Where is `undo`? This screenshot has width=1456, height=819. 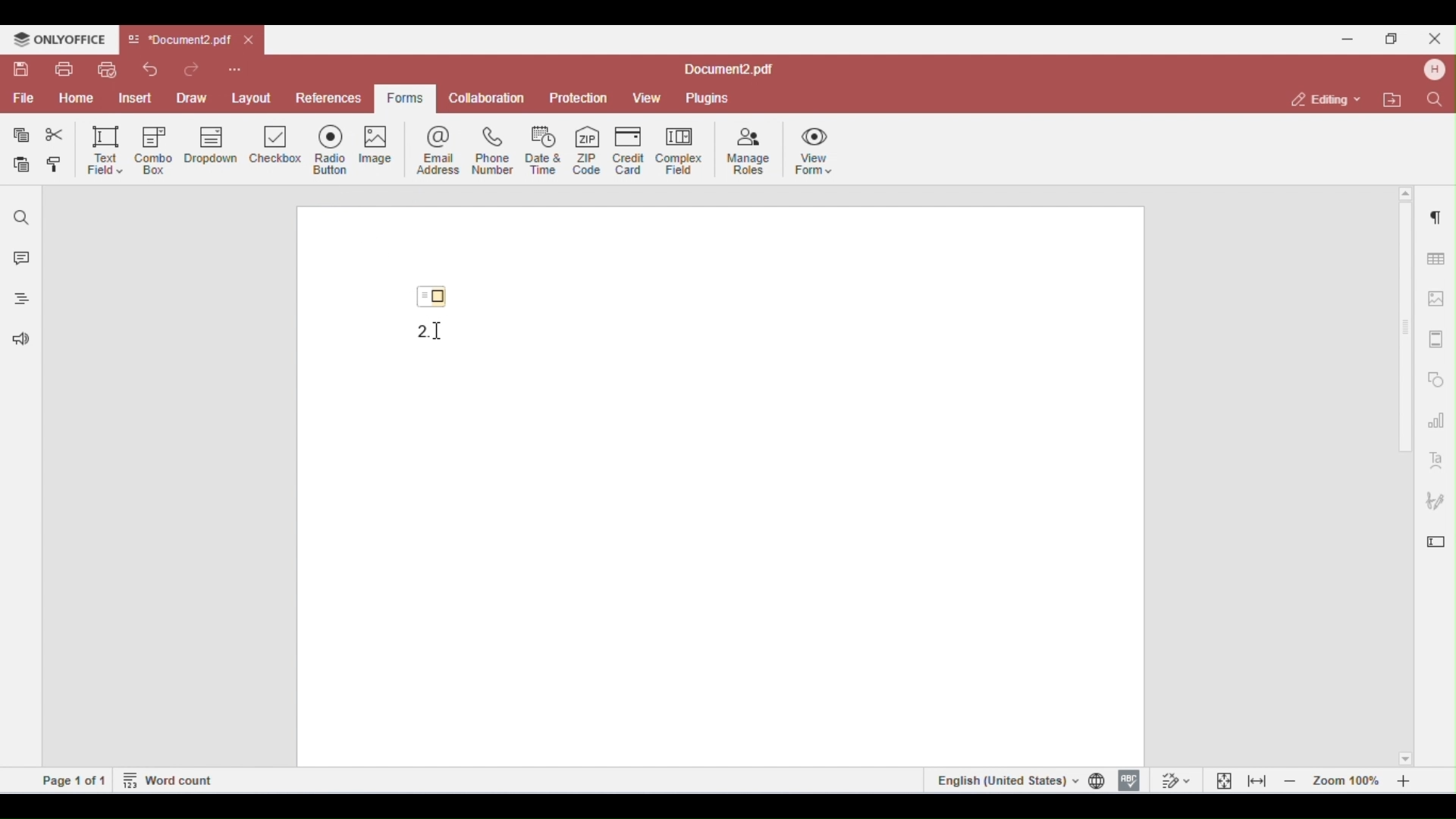 undo is located at coordinates (150, 69).